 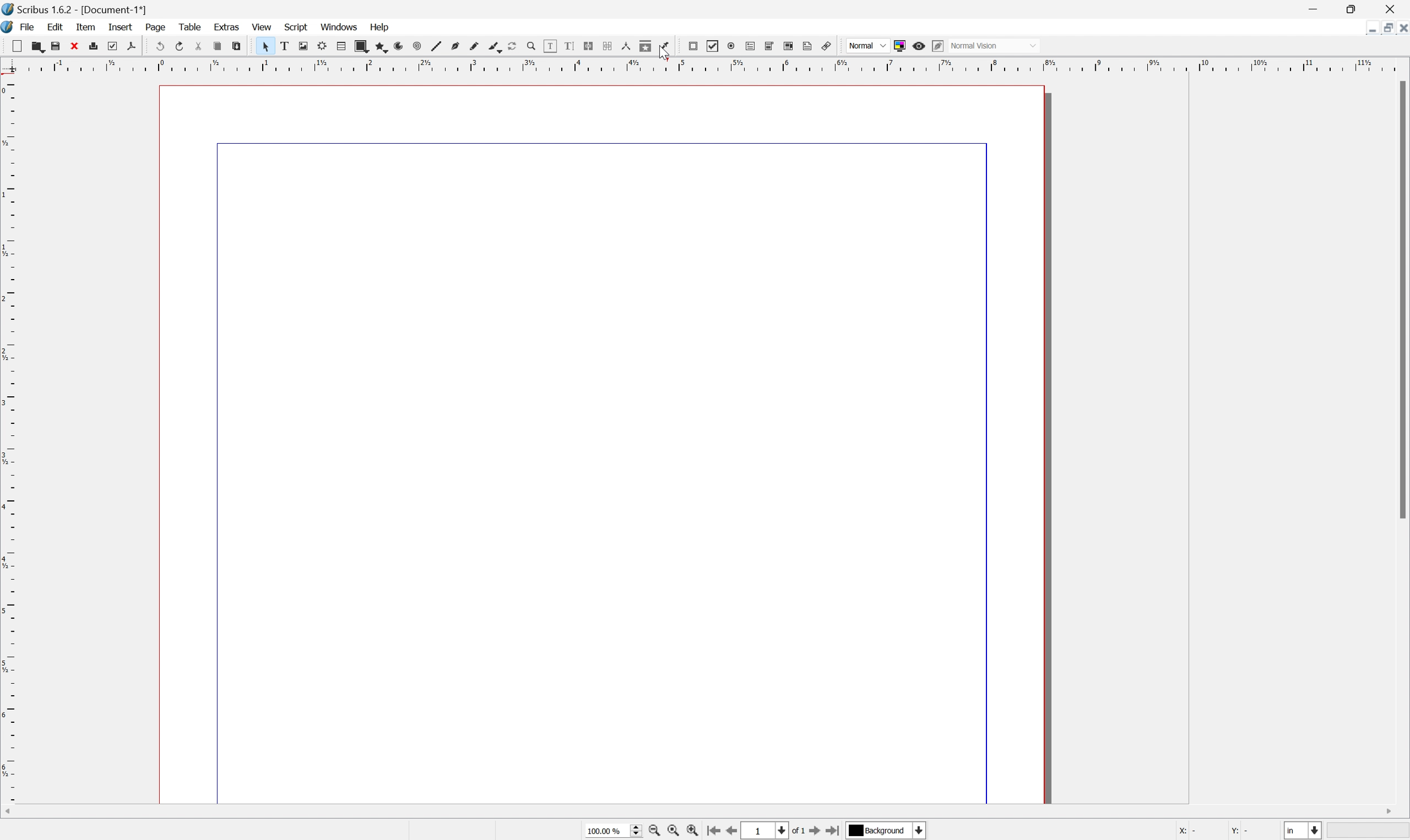 I want to click on Scale, so click(x=707, y=68).